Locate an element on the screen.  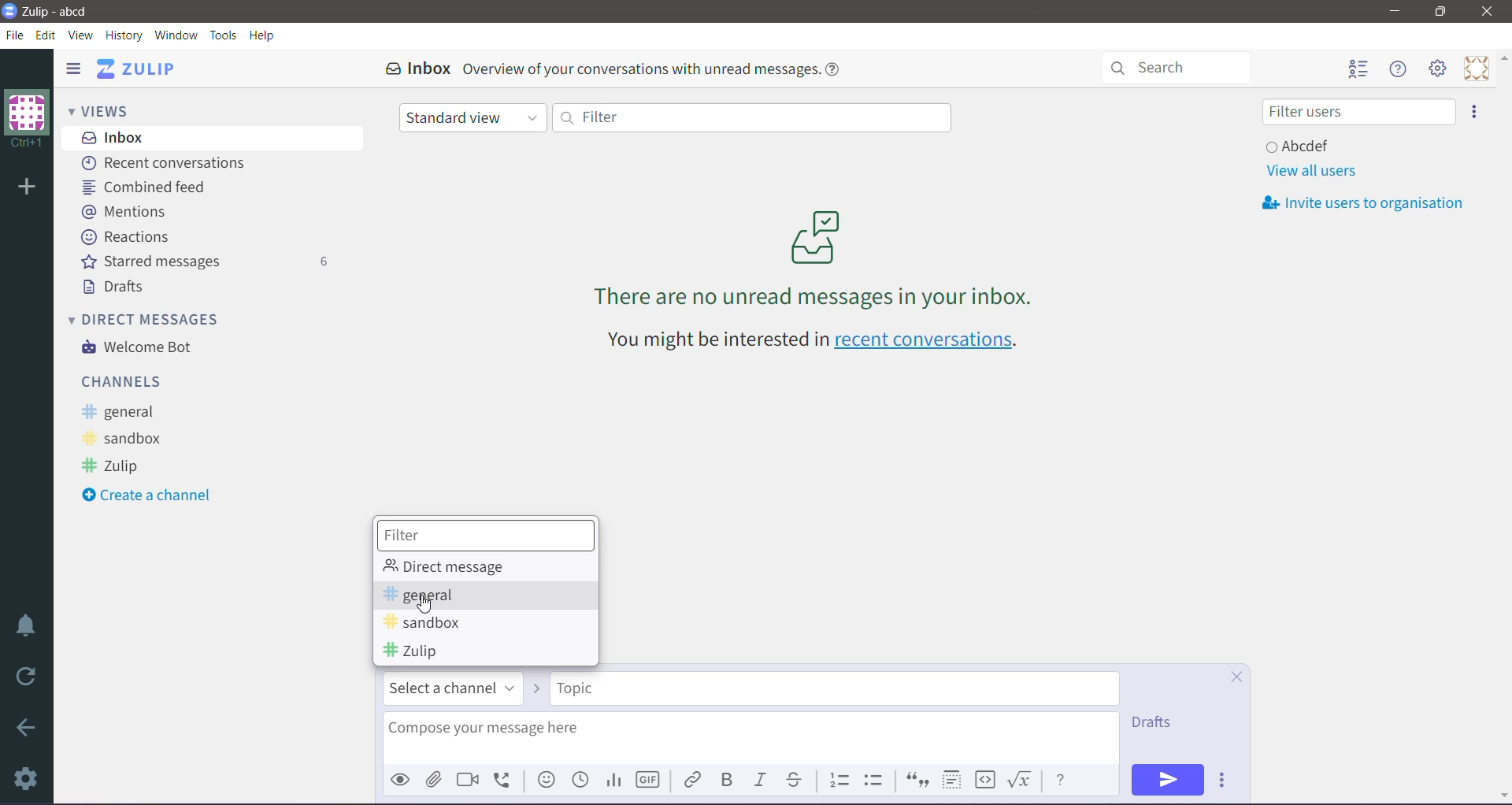
Mentions is located at coordinates (124, 210).